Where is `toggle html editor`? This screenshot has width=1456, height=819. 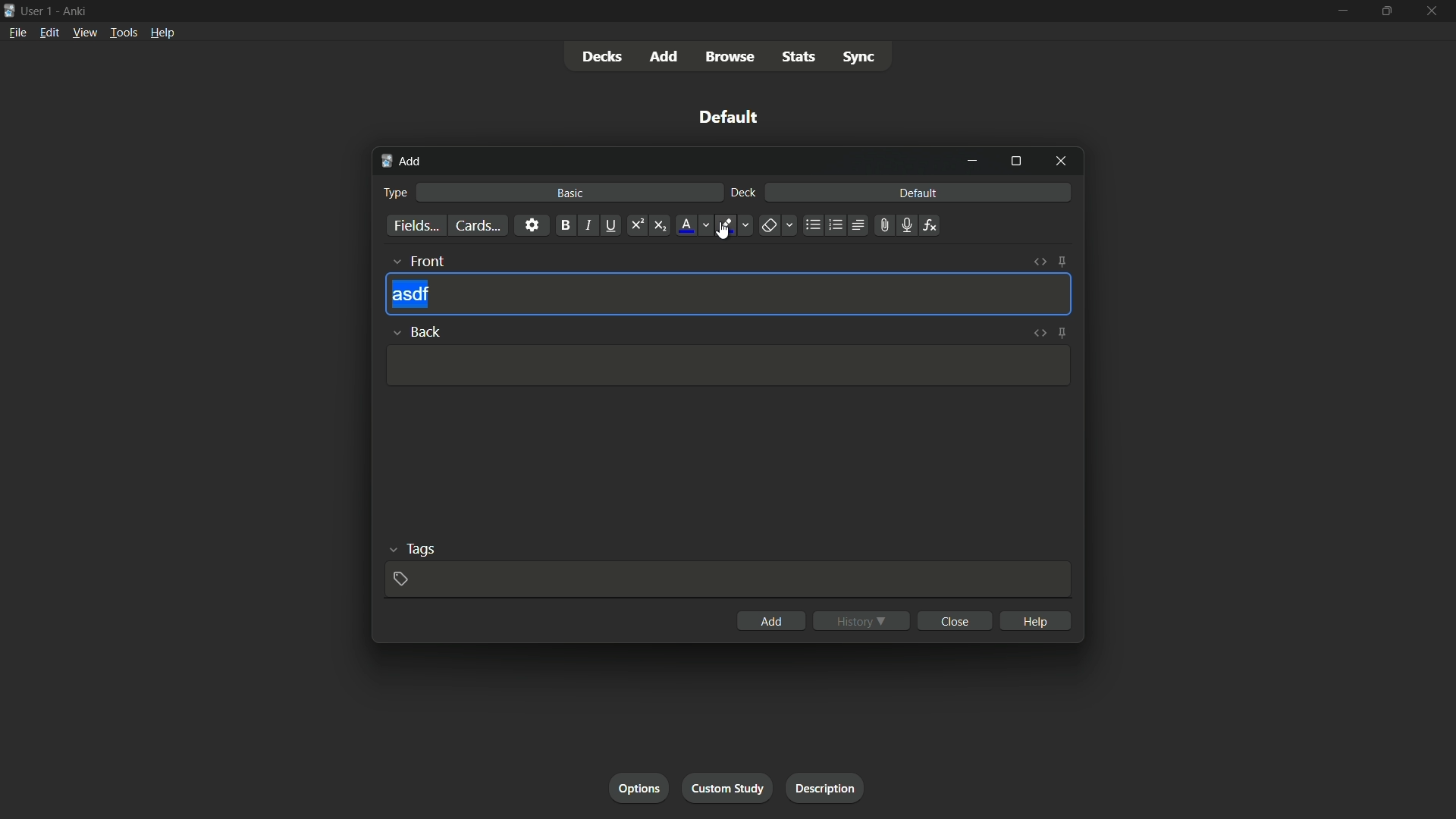 toggle html editor is located at coordinates (1040, 262).